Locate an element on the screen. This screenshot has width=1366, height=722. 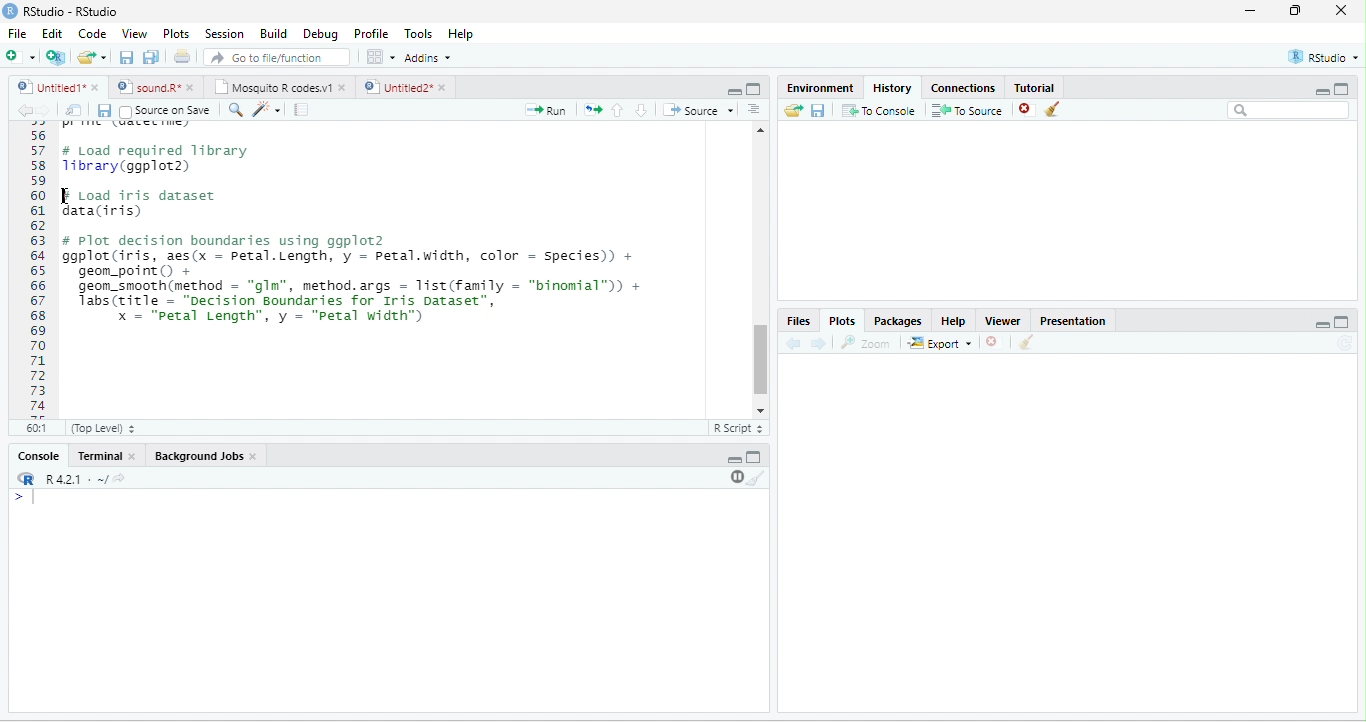
Plots is located at coordinates (843, 322).